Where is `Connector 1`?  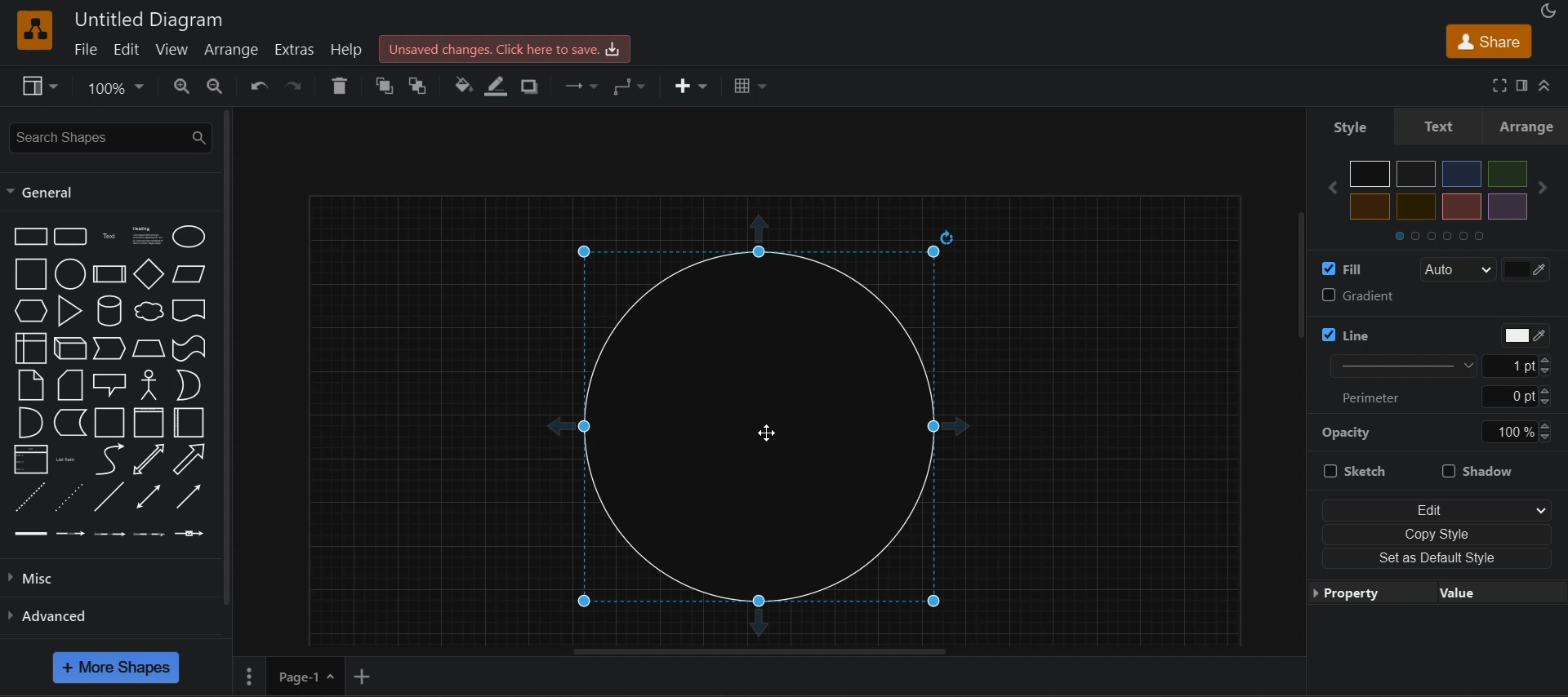 Connector 1 is located at coordinates (27, 531).